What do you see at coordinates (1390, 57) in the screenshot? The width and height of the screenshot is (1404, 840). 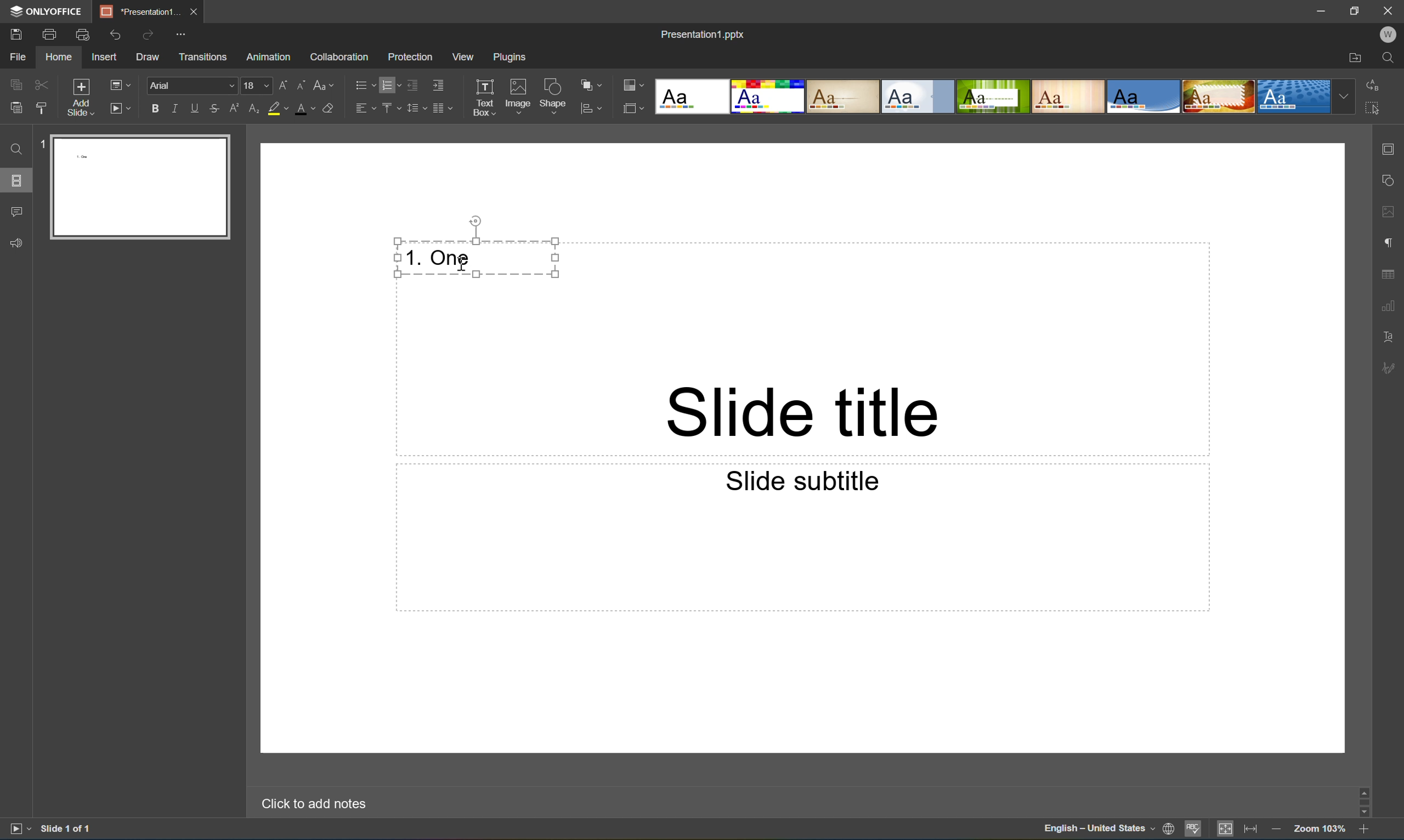 I see `Find` at bounding box center [1390, 57].